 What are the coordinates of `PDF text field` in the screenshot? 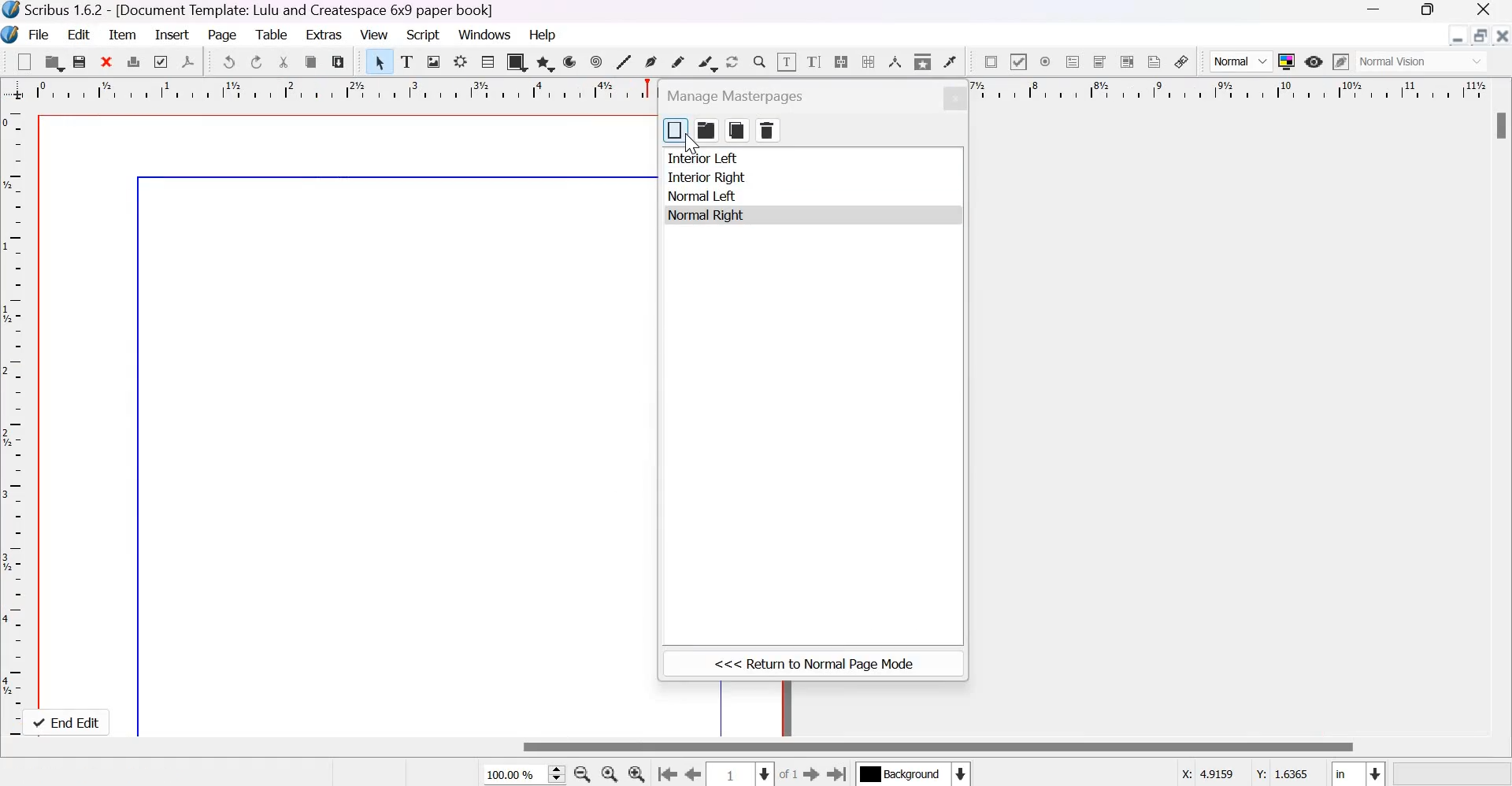 It's located at (1073, 61).